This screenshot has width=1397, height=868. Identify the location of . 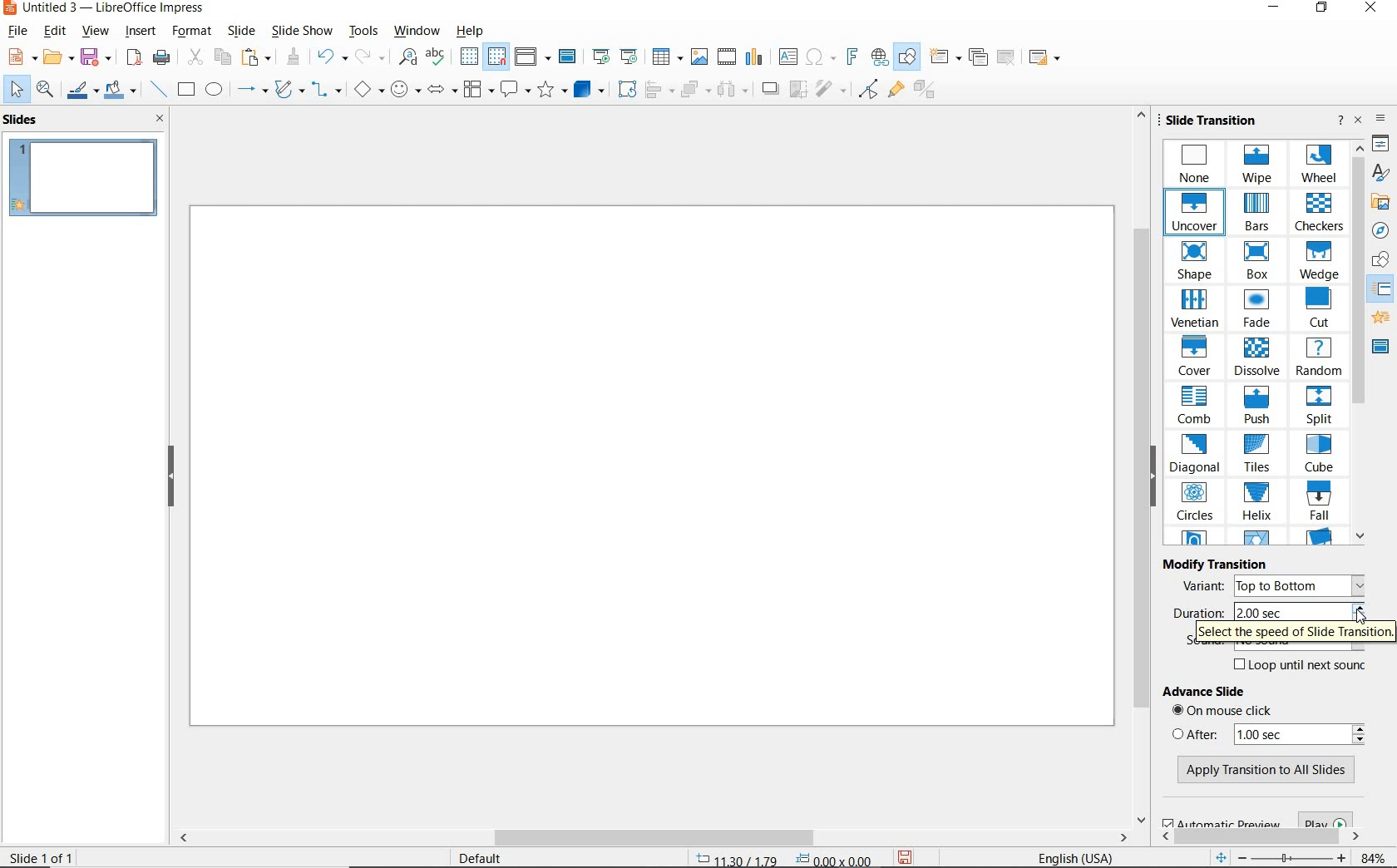
(570, 56).